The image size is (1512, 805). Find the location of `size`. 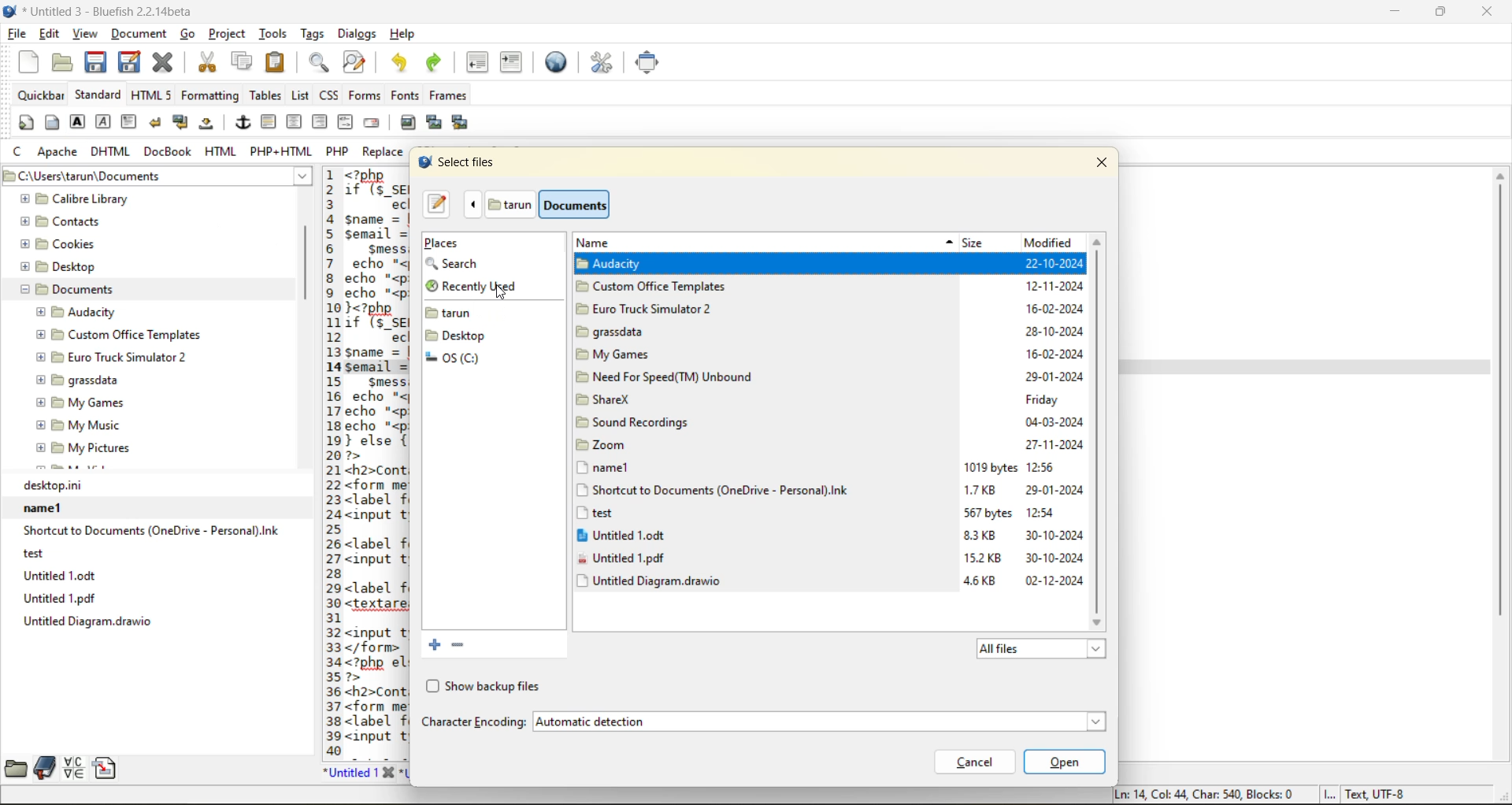

size is located at coordinates (983, 522).